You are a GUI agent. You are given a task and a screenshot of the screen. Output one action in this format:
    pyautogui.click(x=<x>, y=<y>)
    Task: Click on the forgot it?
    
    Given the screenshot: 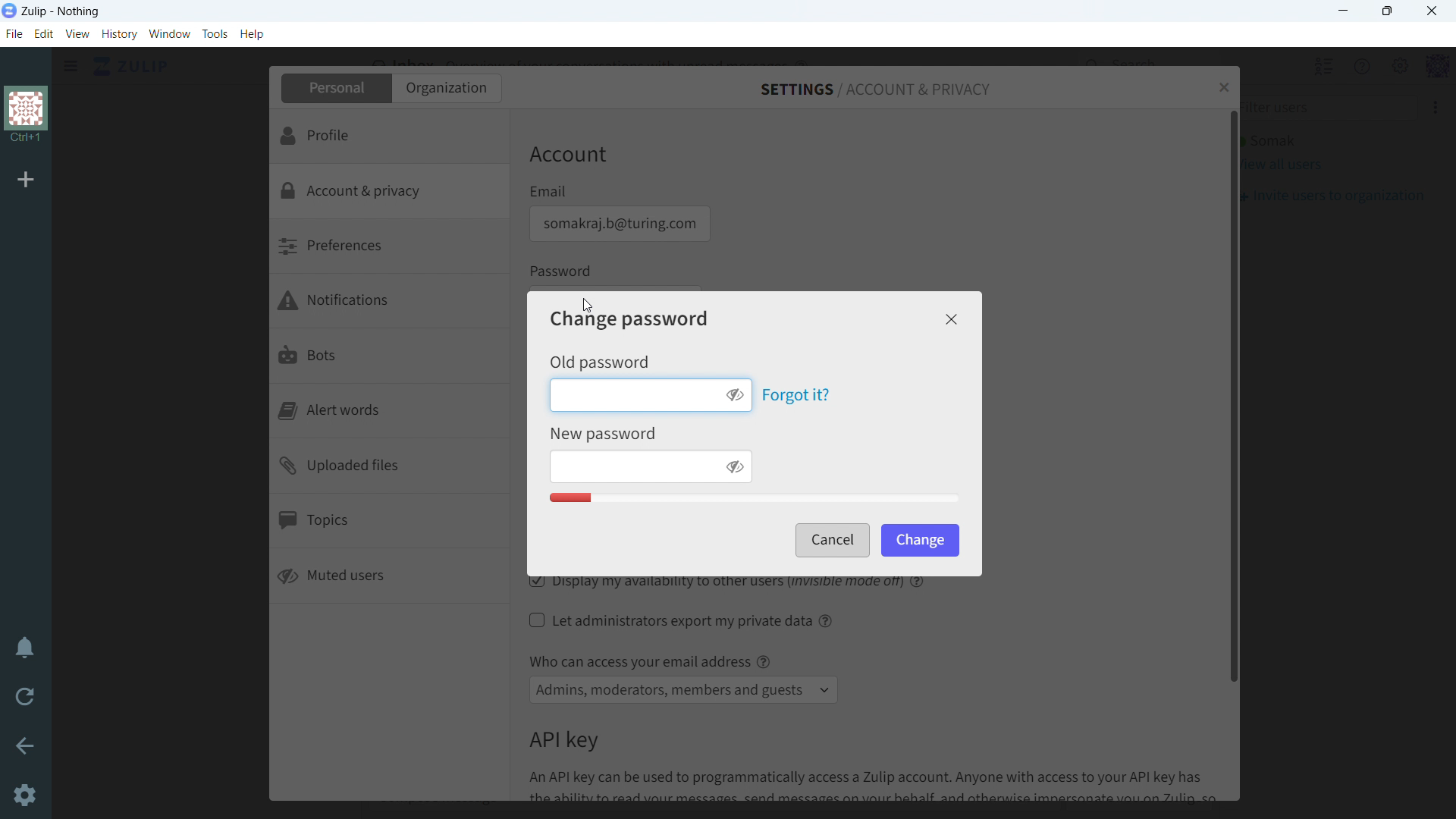 What is the action you would take?
    pyautogui.click(x=796, y=395)
    